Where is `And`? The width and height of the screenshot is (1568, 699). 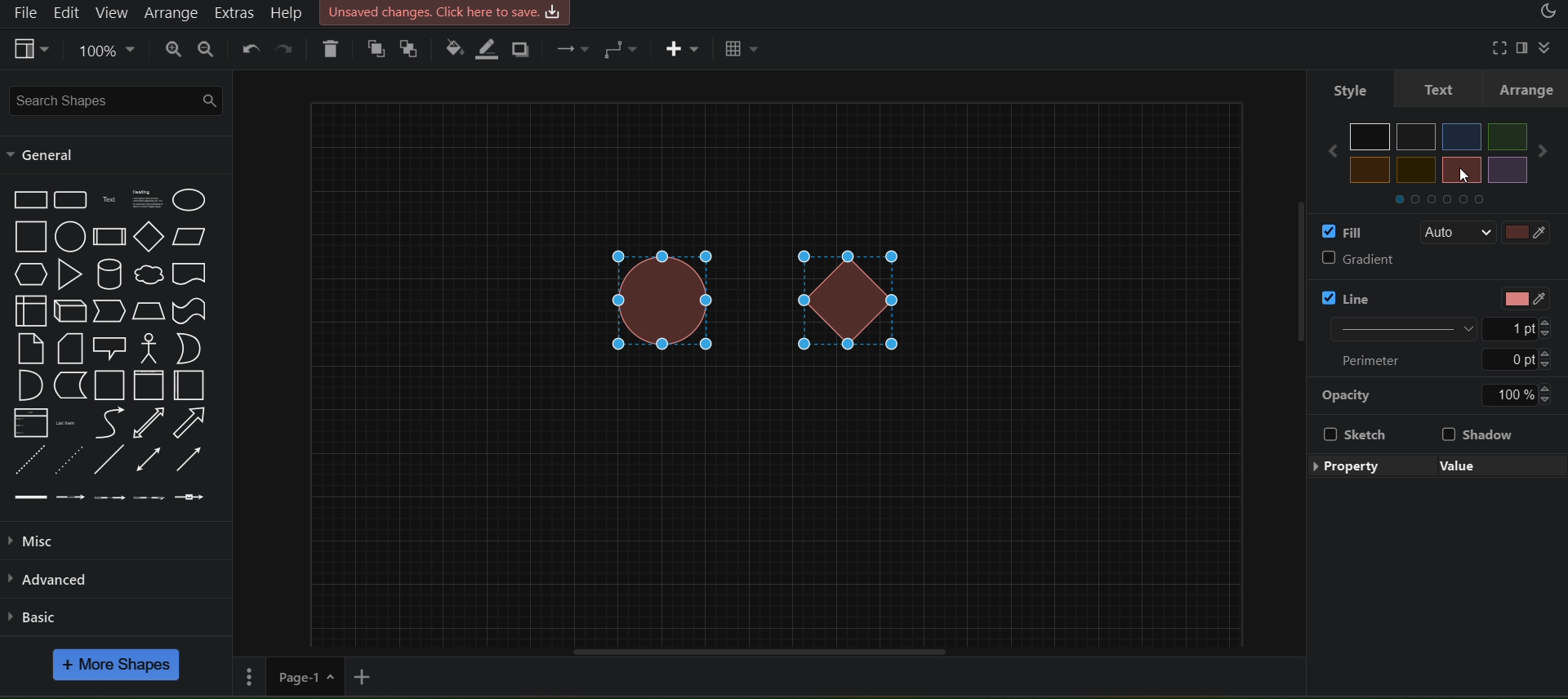
And is located at coordinates (29, 386).